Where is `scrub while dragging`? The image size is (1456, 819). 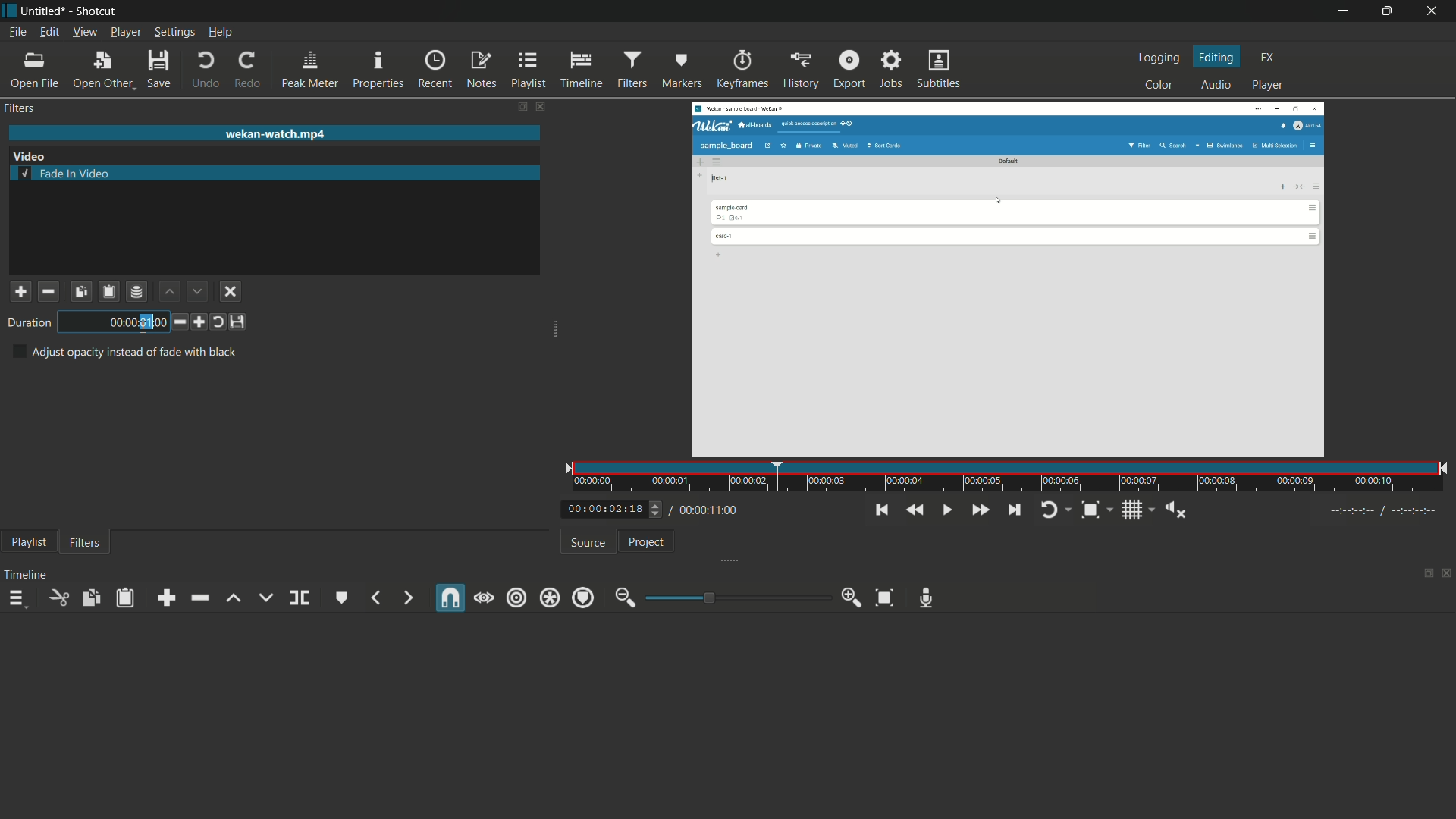 scrub while dragging is located at coordinates (483, 598).